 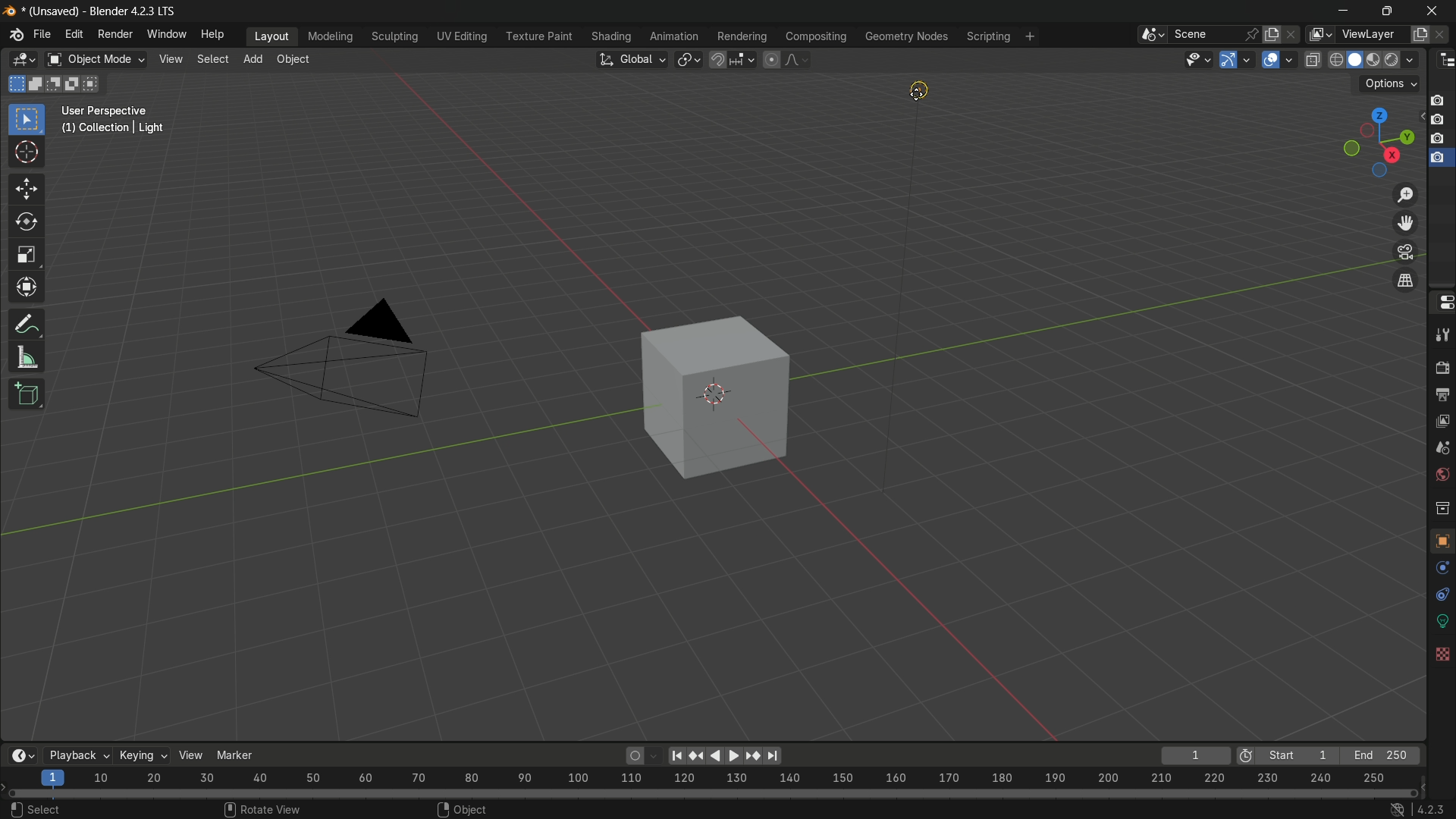 What do you see at coordinates (642, 755) in the screenshot?
I see `auto keyframing` at bounding box center [642, 755].